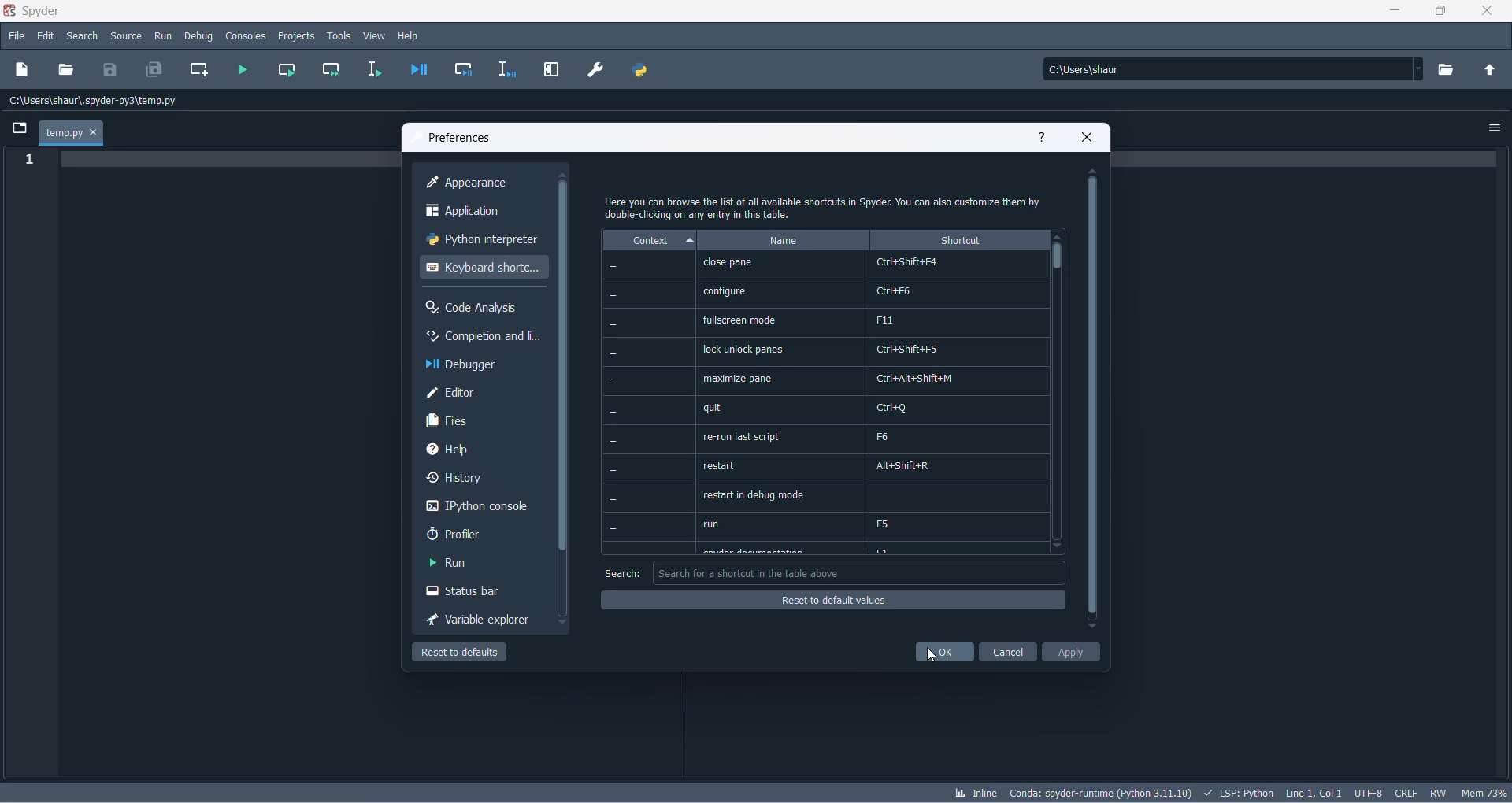 Image resolution: width=1512 pixels, height=803 pixels. Describe the element at coordinates (459, 137) in the screenshot. I see `preferences` at that location.